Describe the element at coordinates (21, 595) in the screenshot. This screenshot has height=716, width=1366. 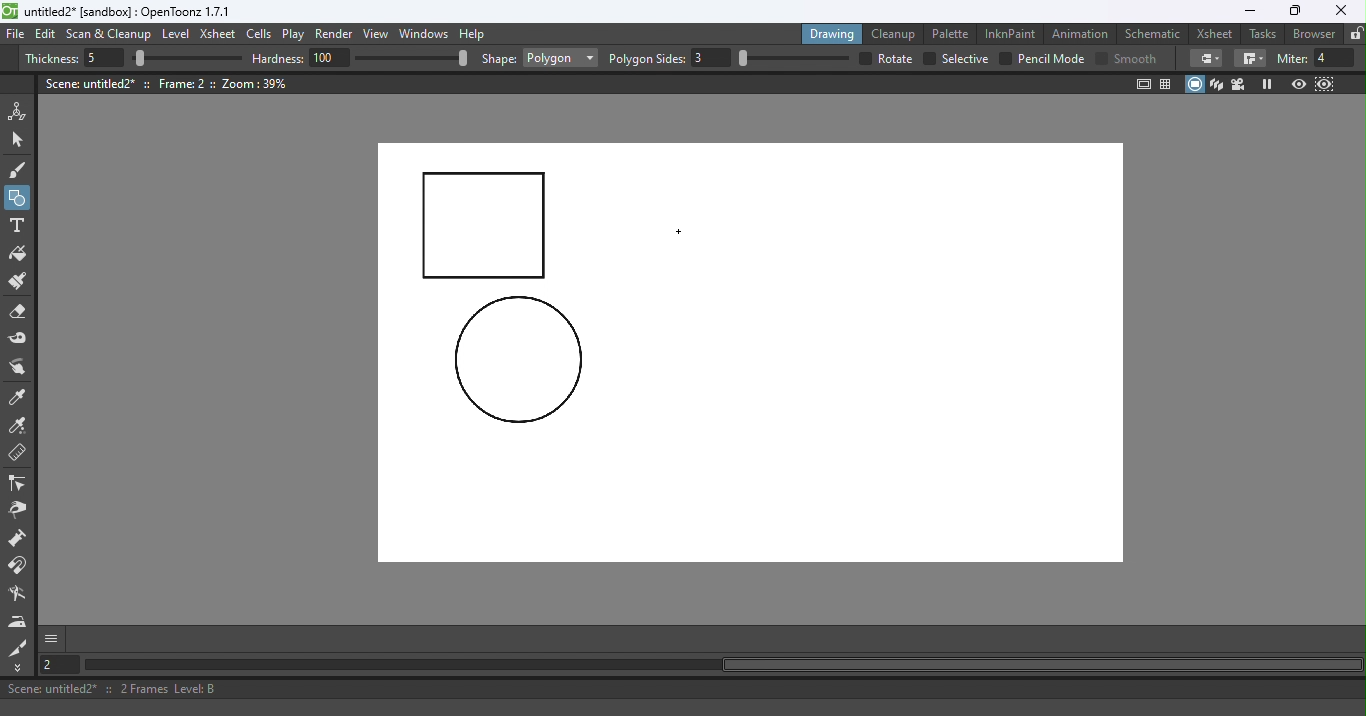
I see `Blender tool` at that location.